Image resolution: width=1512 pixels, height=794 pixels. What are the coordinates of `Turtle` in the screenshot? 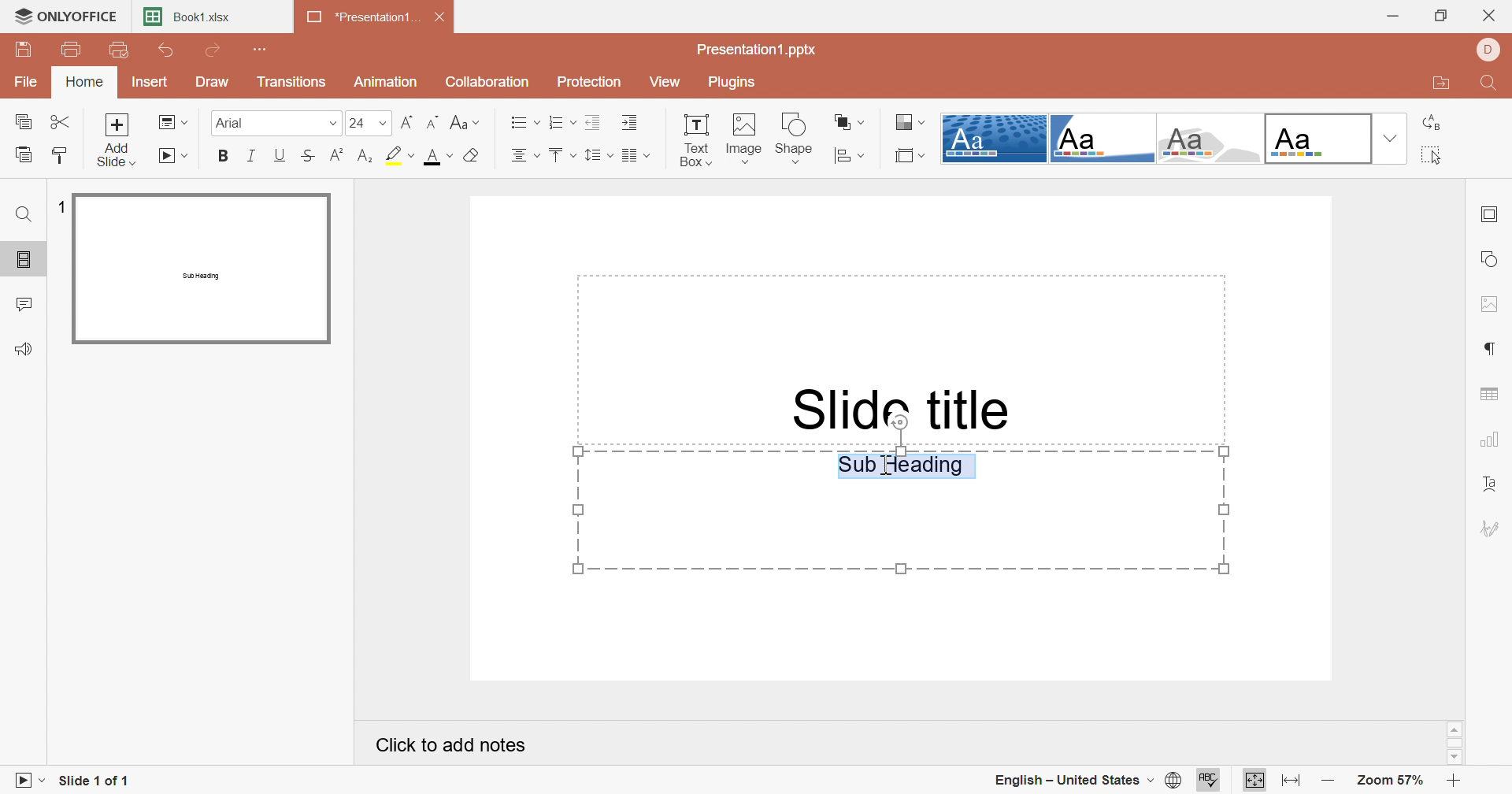 It's located at (1102, 137).